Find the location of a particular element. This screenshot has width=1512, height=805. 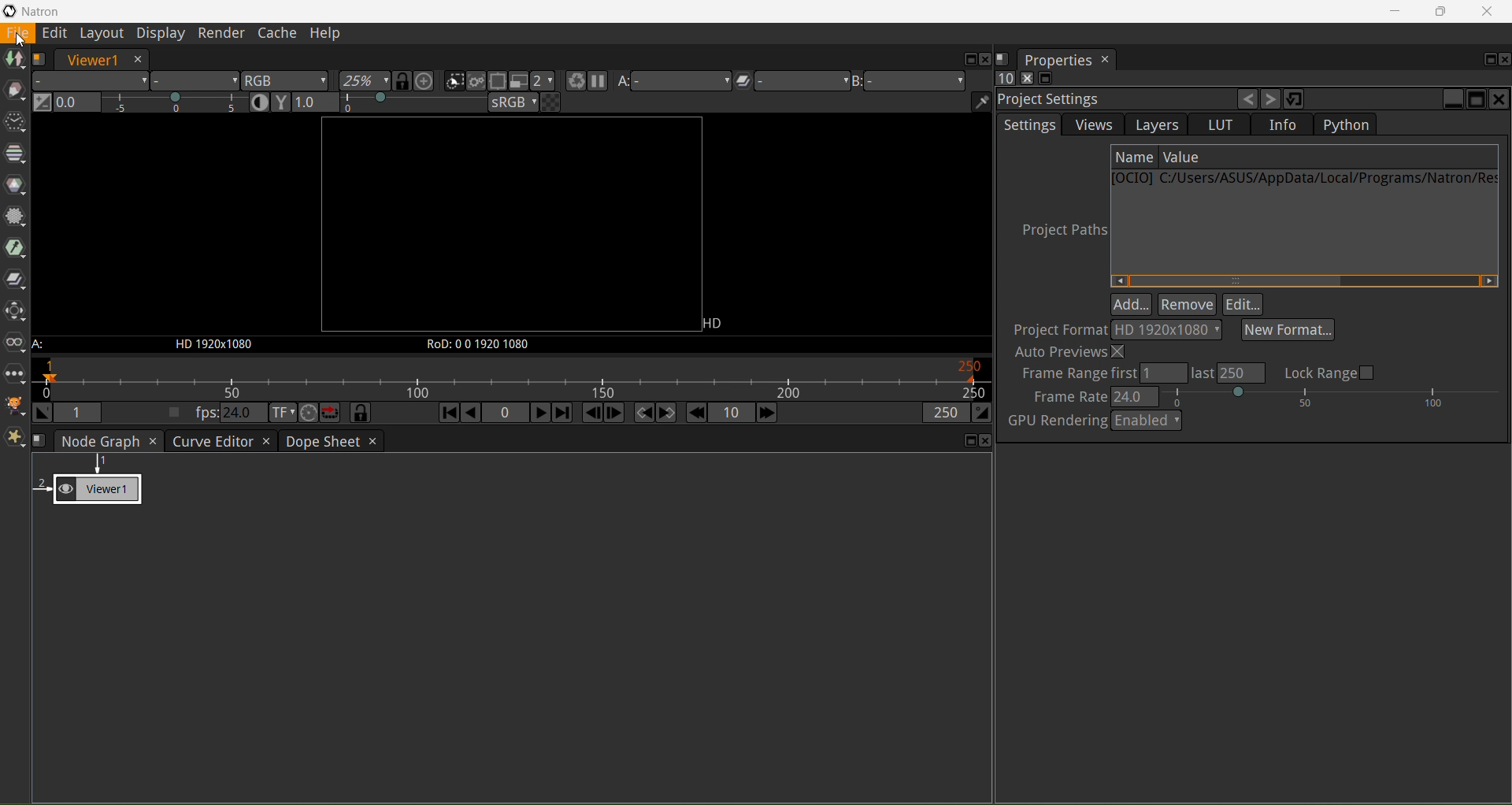

Dope Sheet is located at coordinates (322, 443).